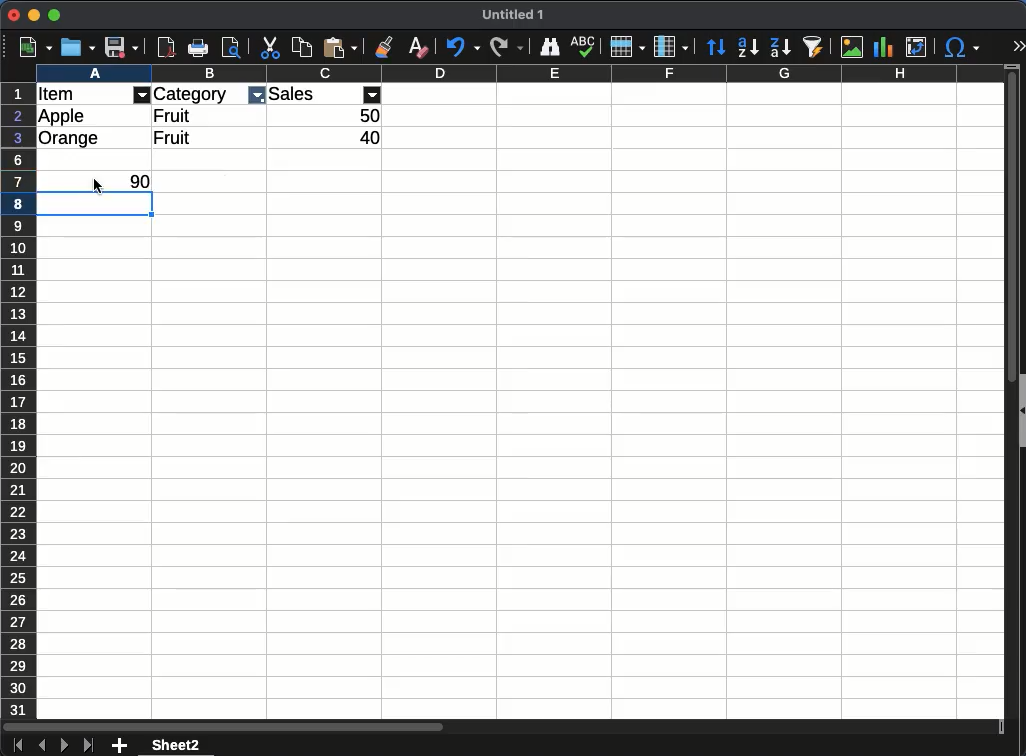 Image resolution: width=1026 pixels, height=756 pixels. What do you see at coordinates (383, 47) in the screenshot?
I see `clone formatting` at bounding box center [383, 47].